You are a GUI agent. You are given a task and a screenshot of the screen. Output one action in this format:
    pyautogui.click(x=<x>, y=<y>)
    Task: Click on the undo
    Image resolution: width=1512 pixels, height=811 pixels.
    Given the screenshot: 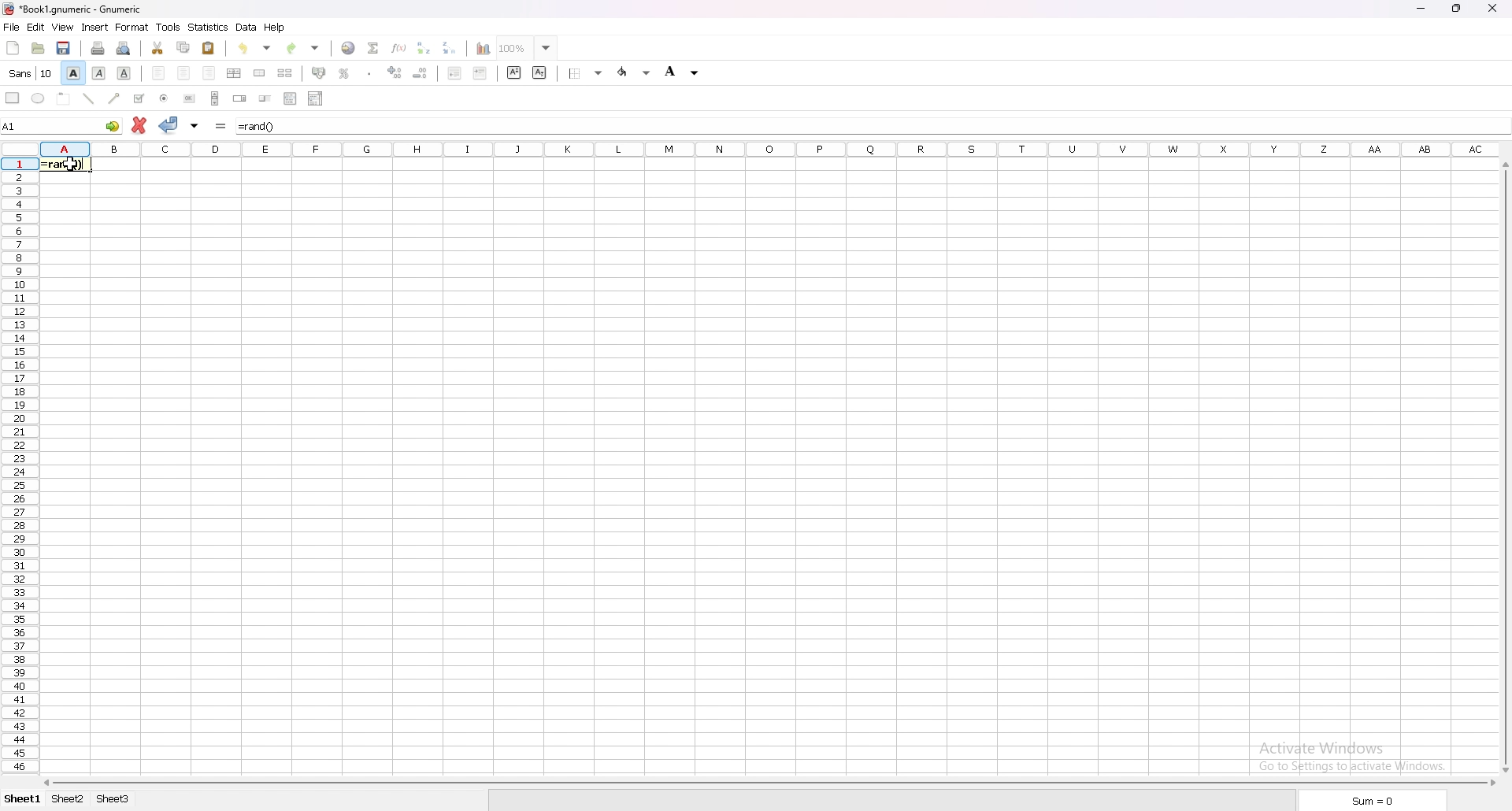 What is the action you would take?
    pyautogui.click(x=257, y=48)
    